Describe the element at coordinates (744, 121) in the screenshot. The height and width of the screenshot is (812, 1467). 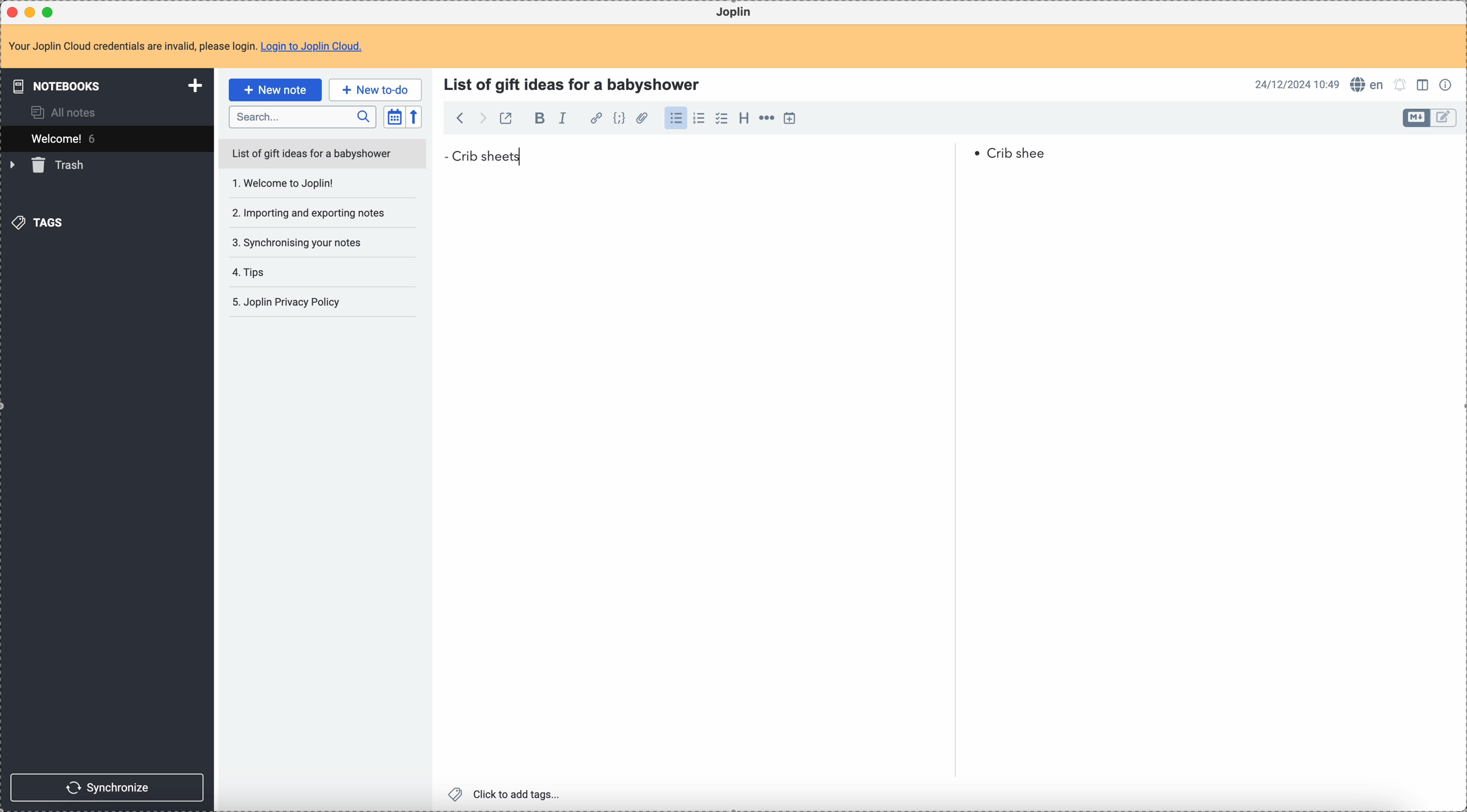
I see `heading` at that location.